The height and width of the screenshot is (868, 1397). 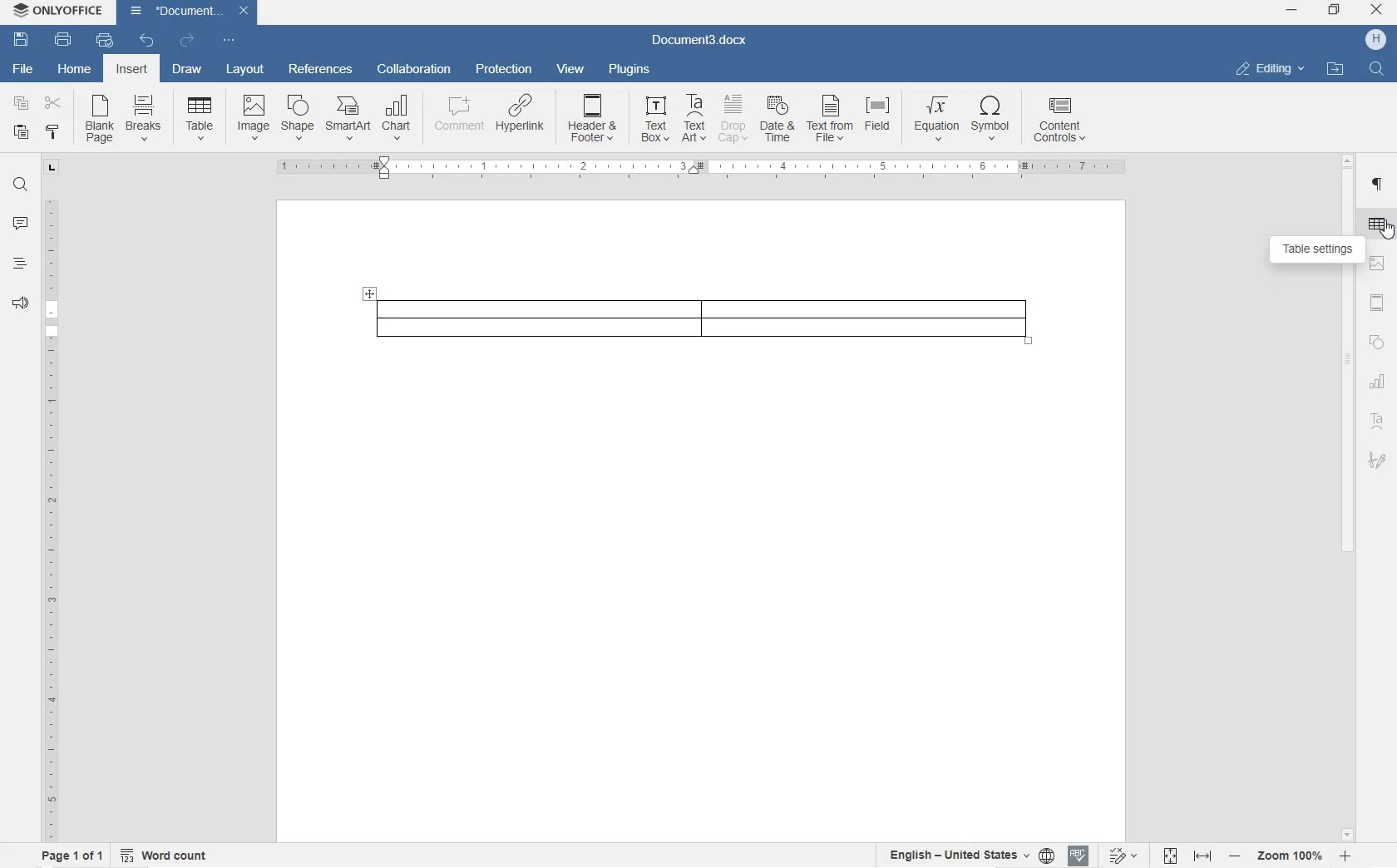 What do you see at coordinates (992, 120) in the screenshot?
I see `symbol` at bounding box center [992, 120].